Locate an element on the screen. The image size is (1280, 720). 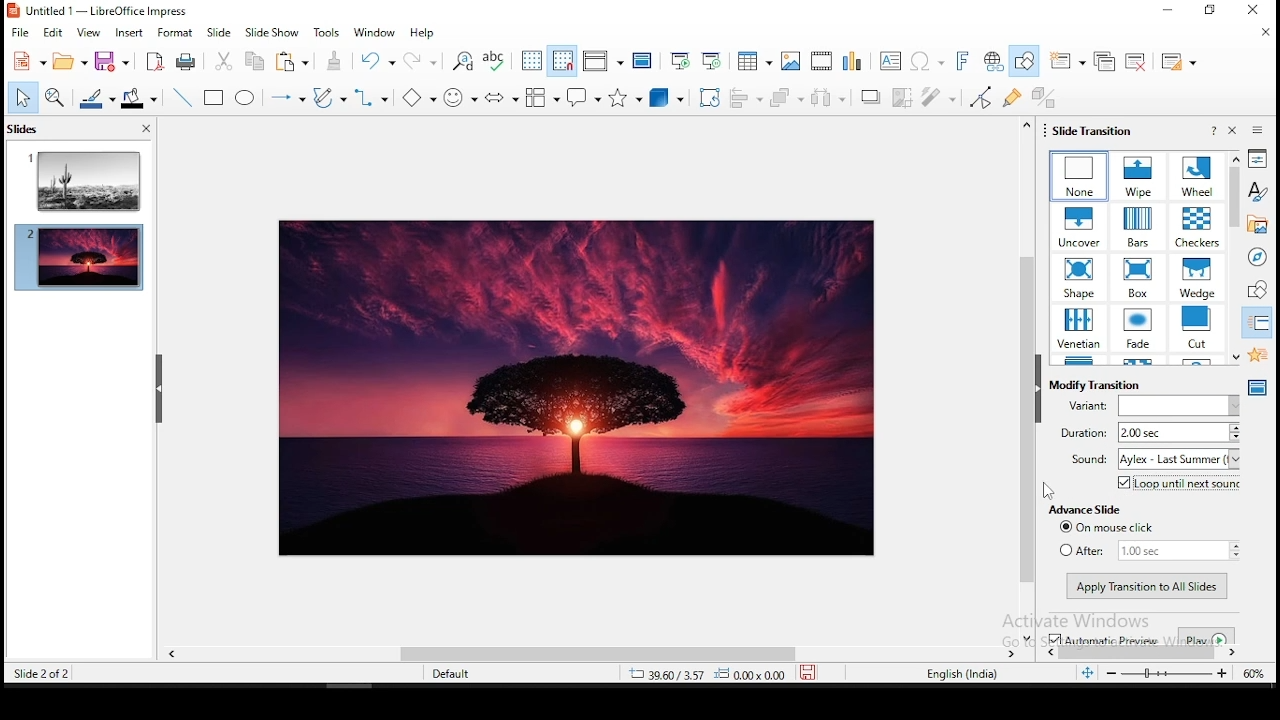
shadow is located at coordinates (871, 96).